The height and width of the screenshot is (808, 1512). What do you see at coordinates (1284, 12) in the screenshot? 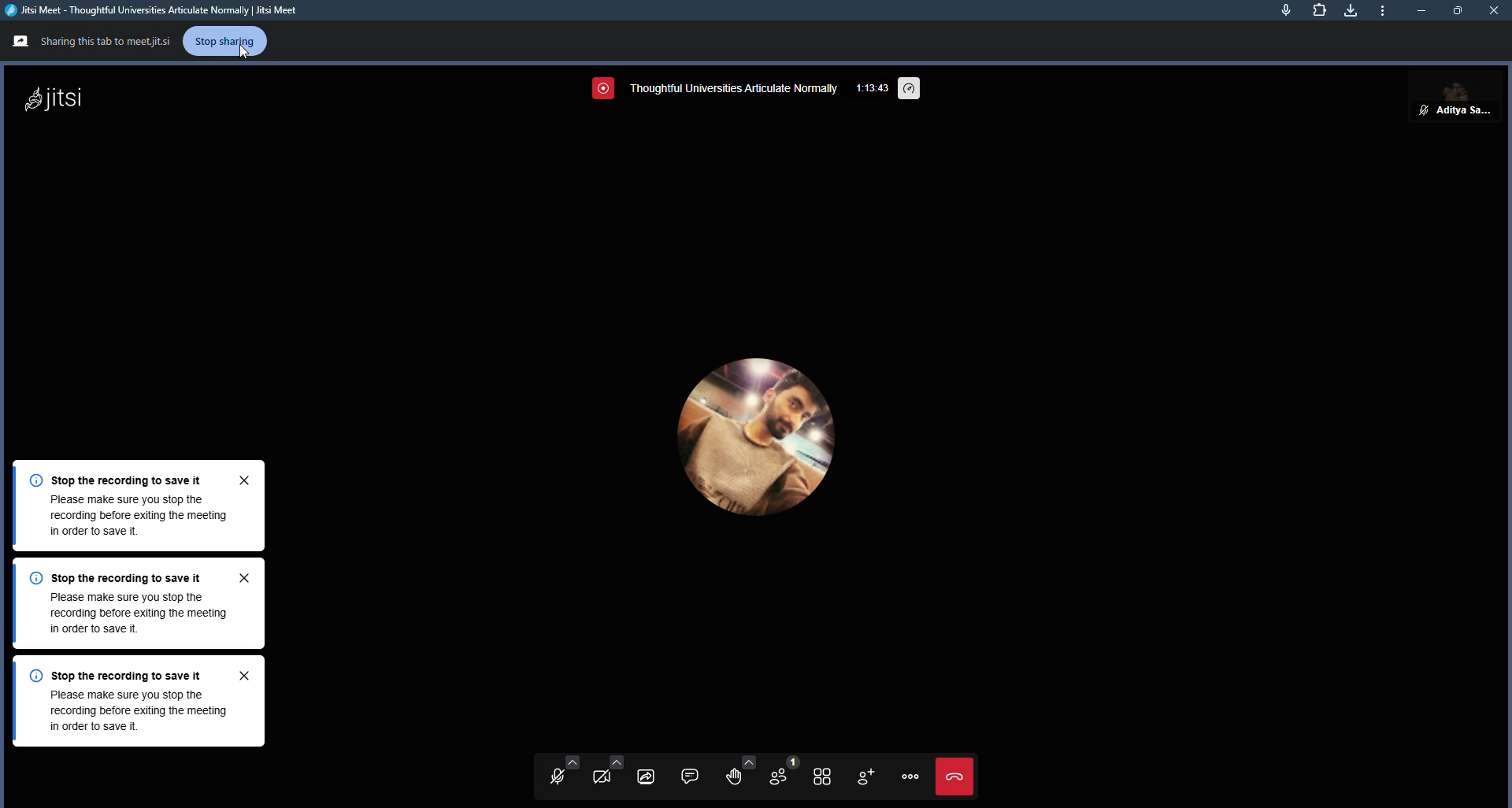
I see `mic` at bounding box center [1284, 12].